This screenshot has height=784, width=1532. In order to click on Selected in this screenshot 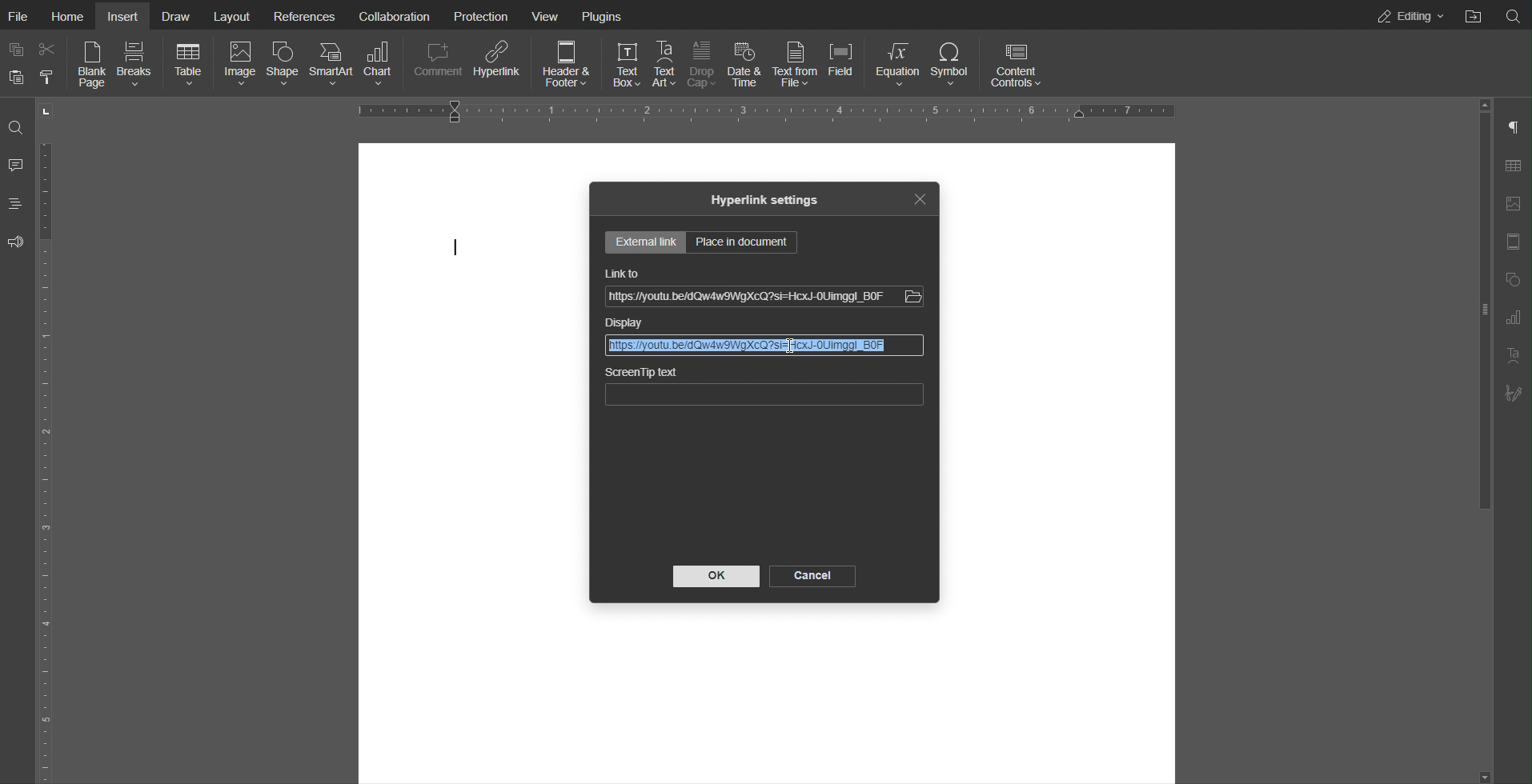, I will do `click(752, 347)`.